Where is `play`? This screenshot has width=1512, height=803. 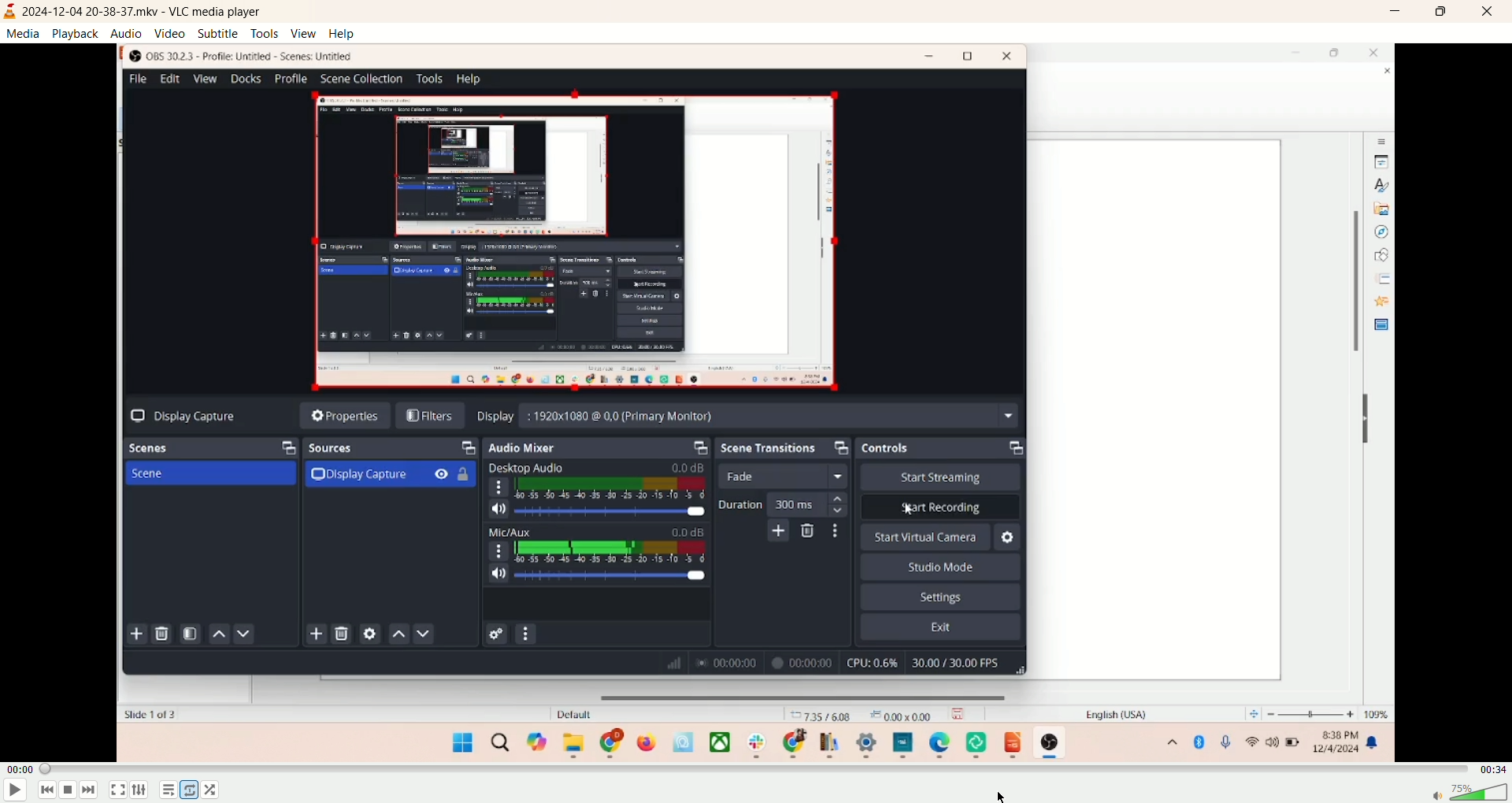
play is located at coordinates (16, 791).